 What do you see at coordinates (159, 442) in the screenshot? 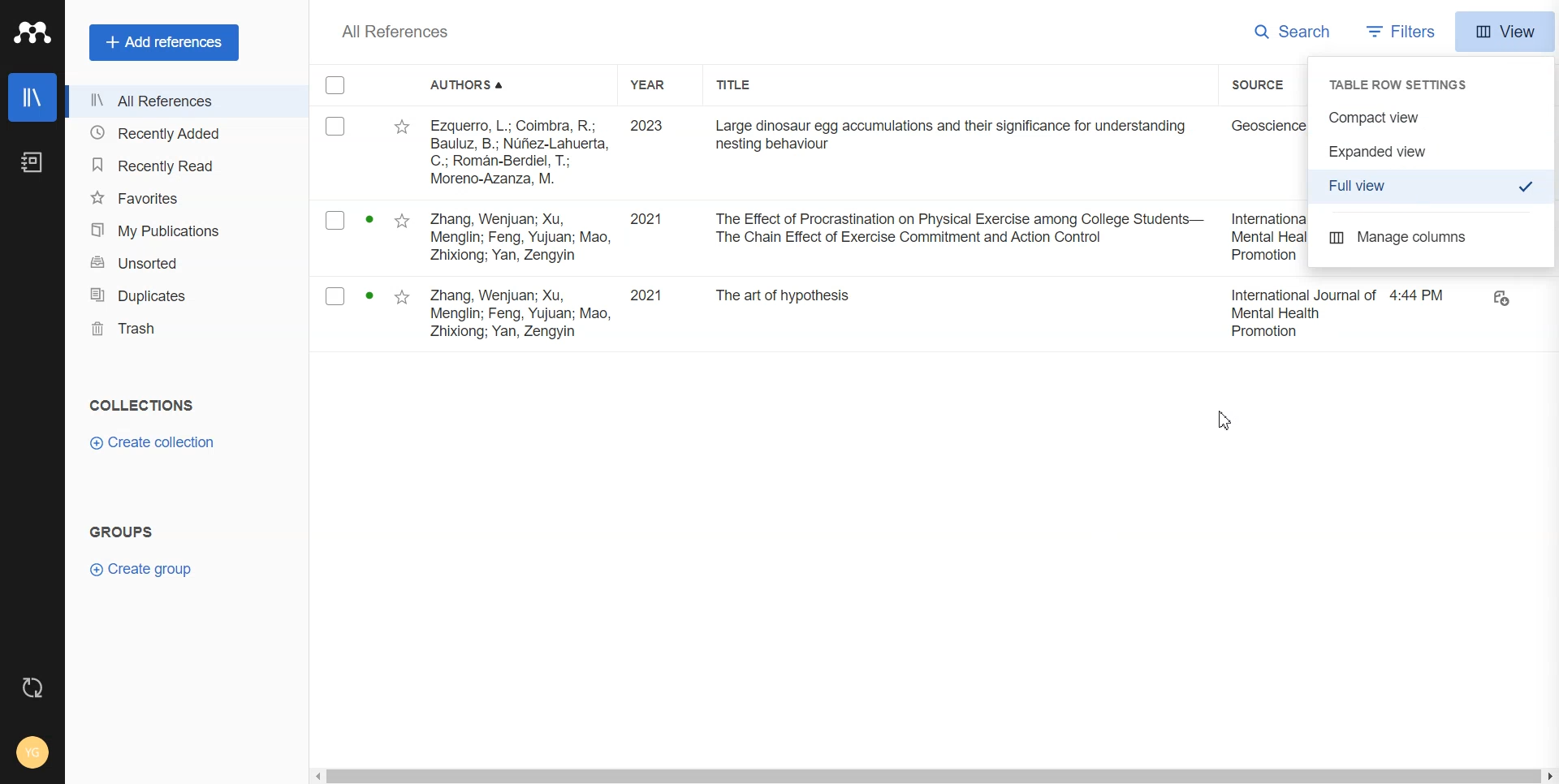
I see `Create collection` at bounding box center [159, 442].